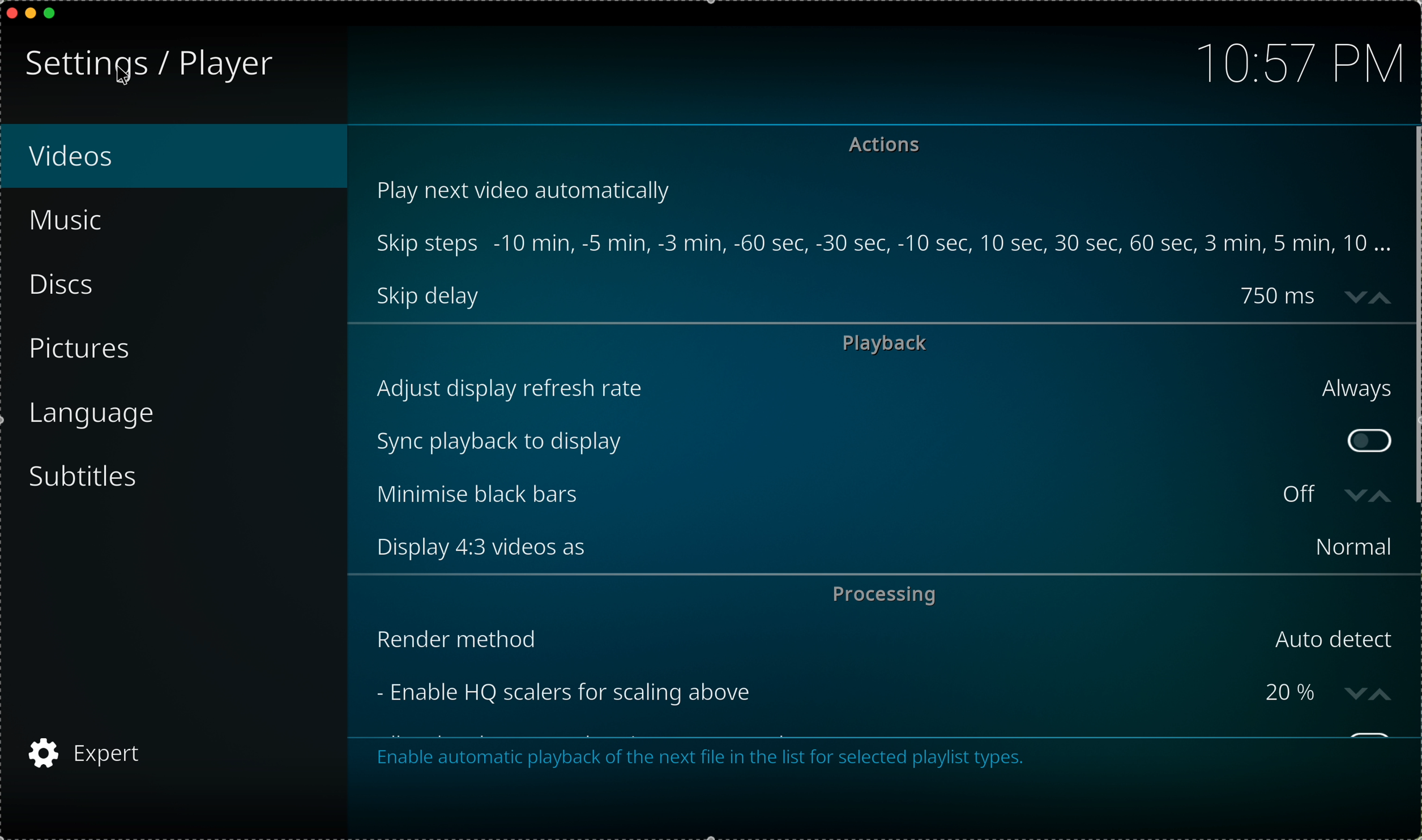 This screenshot has height=840, width=1422. What do you see at coordinates (882, 388) in the screenshot?
I see `adjust display refresh rate  off` at bounding box center [882, 388].